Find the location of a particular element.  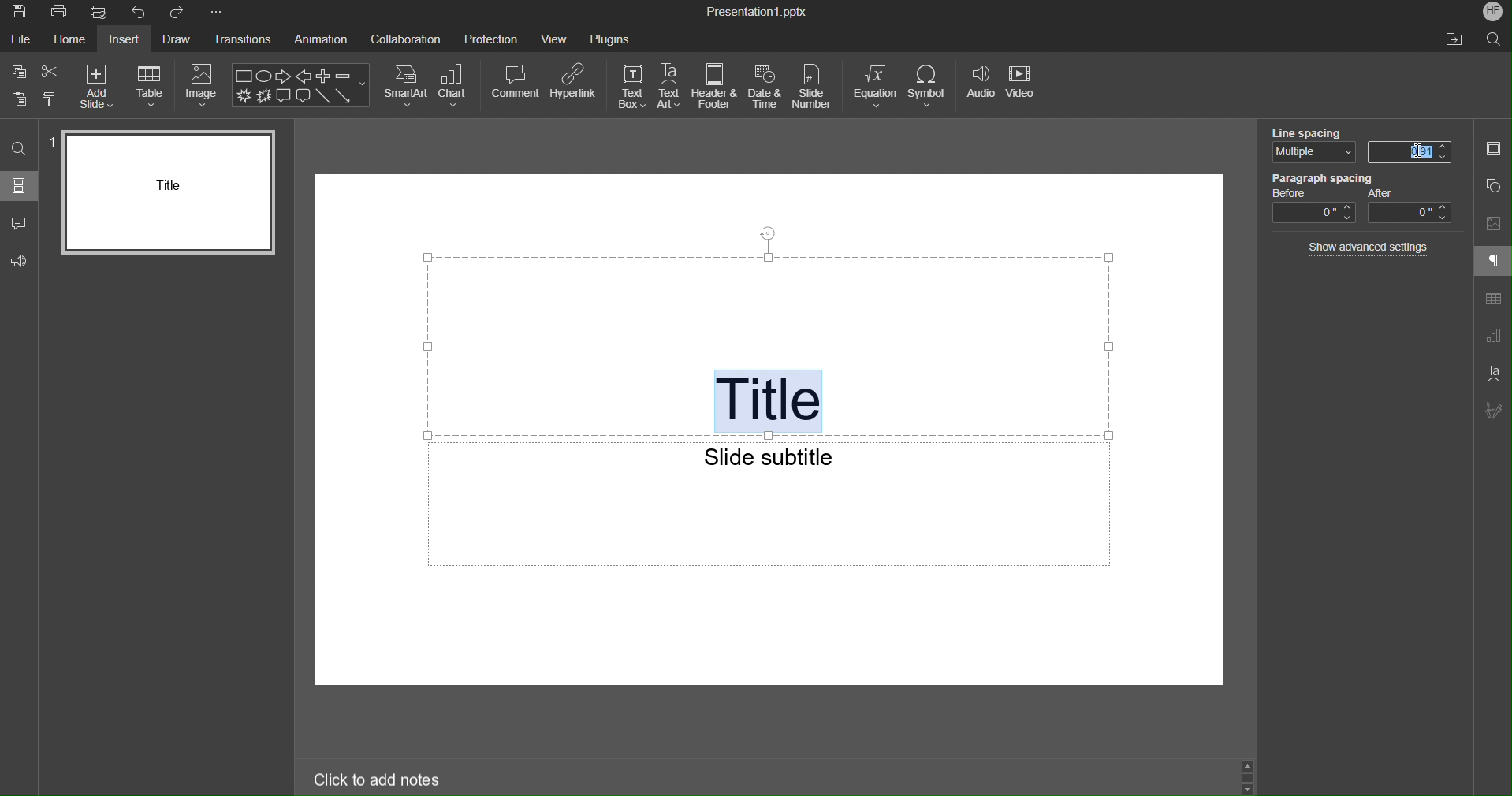

Slide Number is located at coordinates (817, 87).